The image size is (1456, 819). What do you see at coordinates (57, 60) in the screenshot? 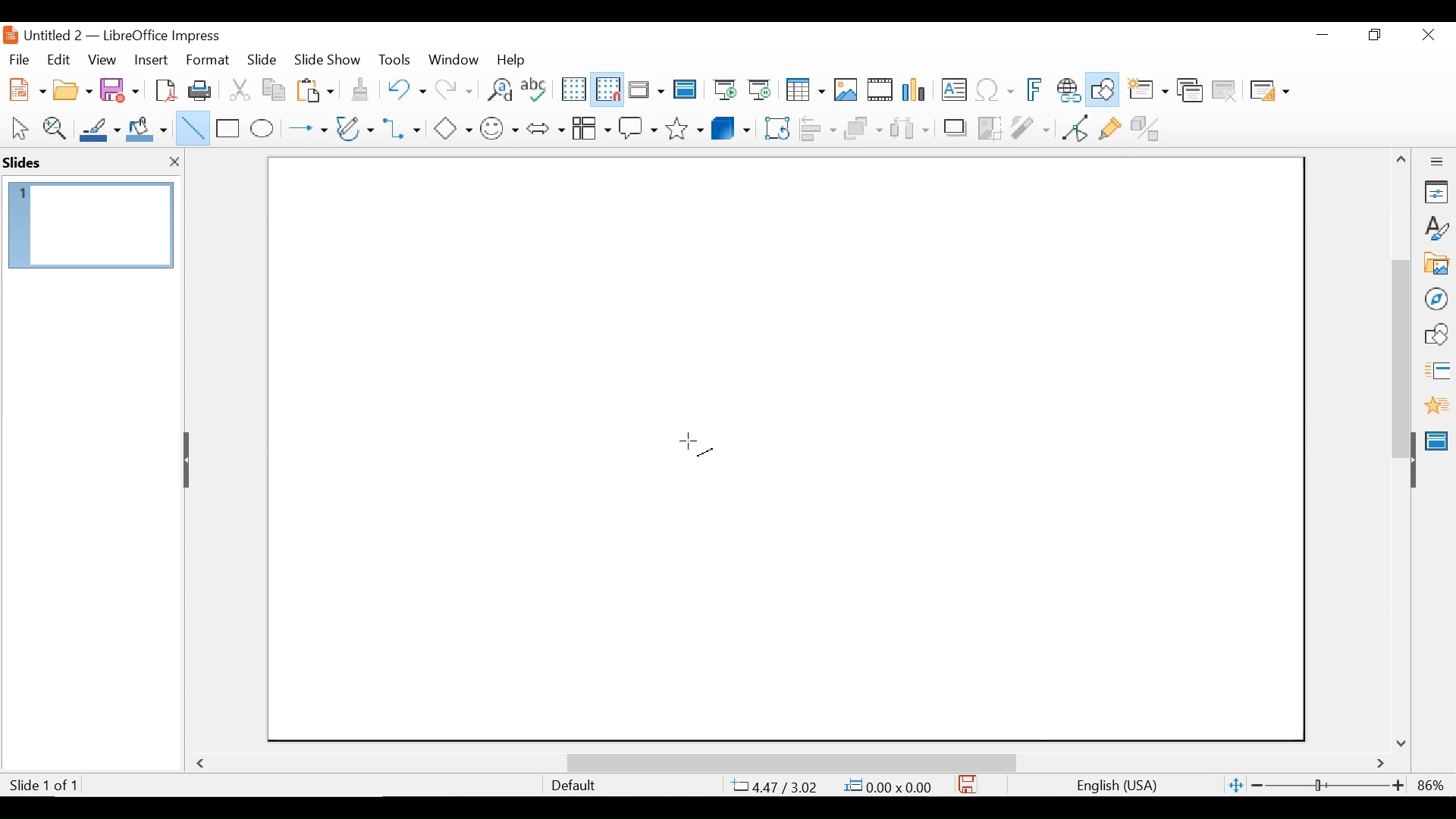
I see `Edit` at bounding box center [57, 60].